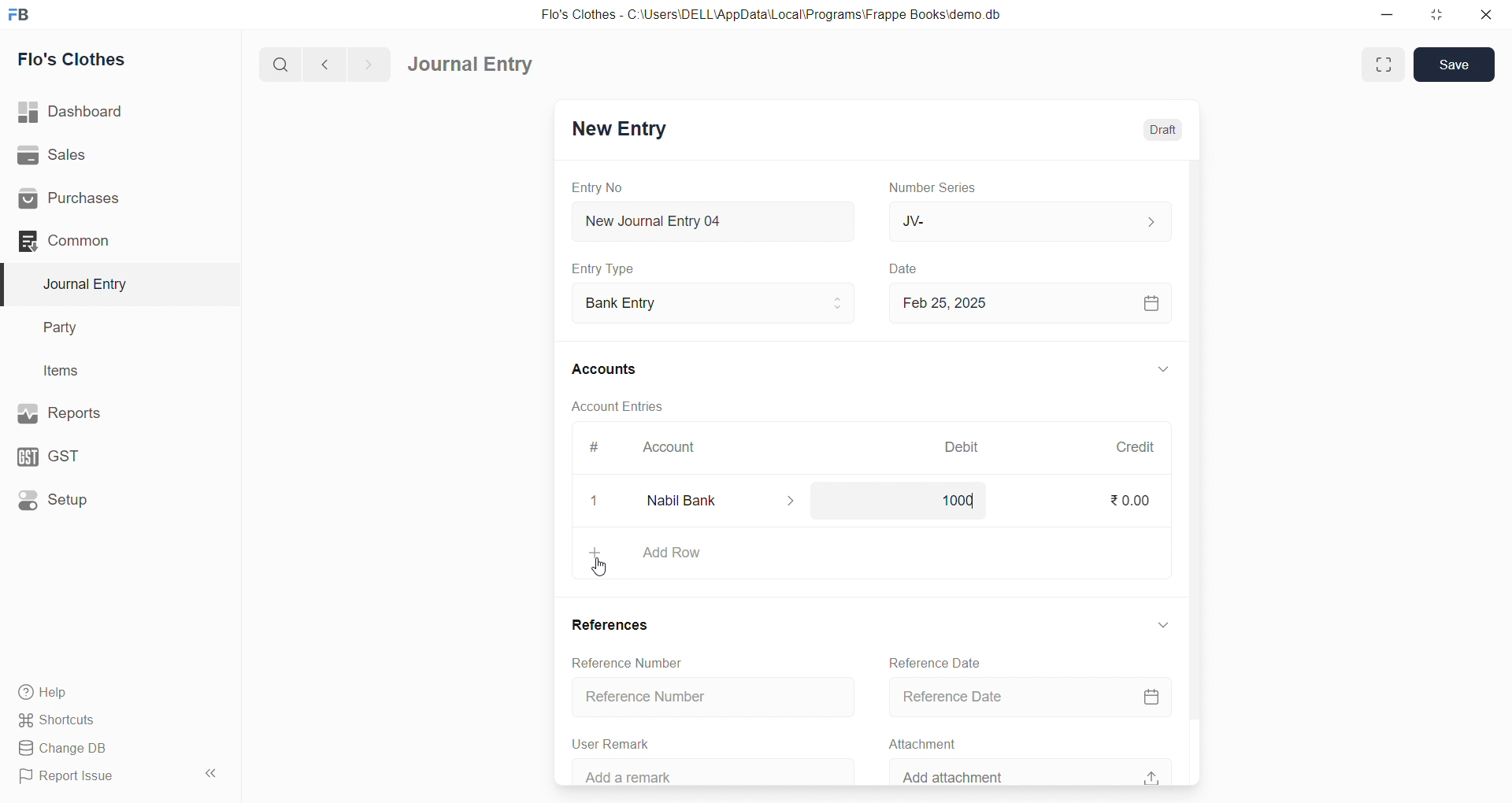  Describe the element at coordinates (614, 368) in the screenshot. I see `Accounts` at that location.